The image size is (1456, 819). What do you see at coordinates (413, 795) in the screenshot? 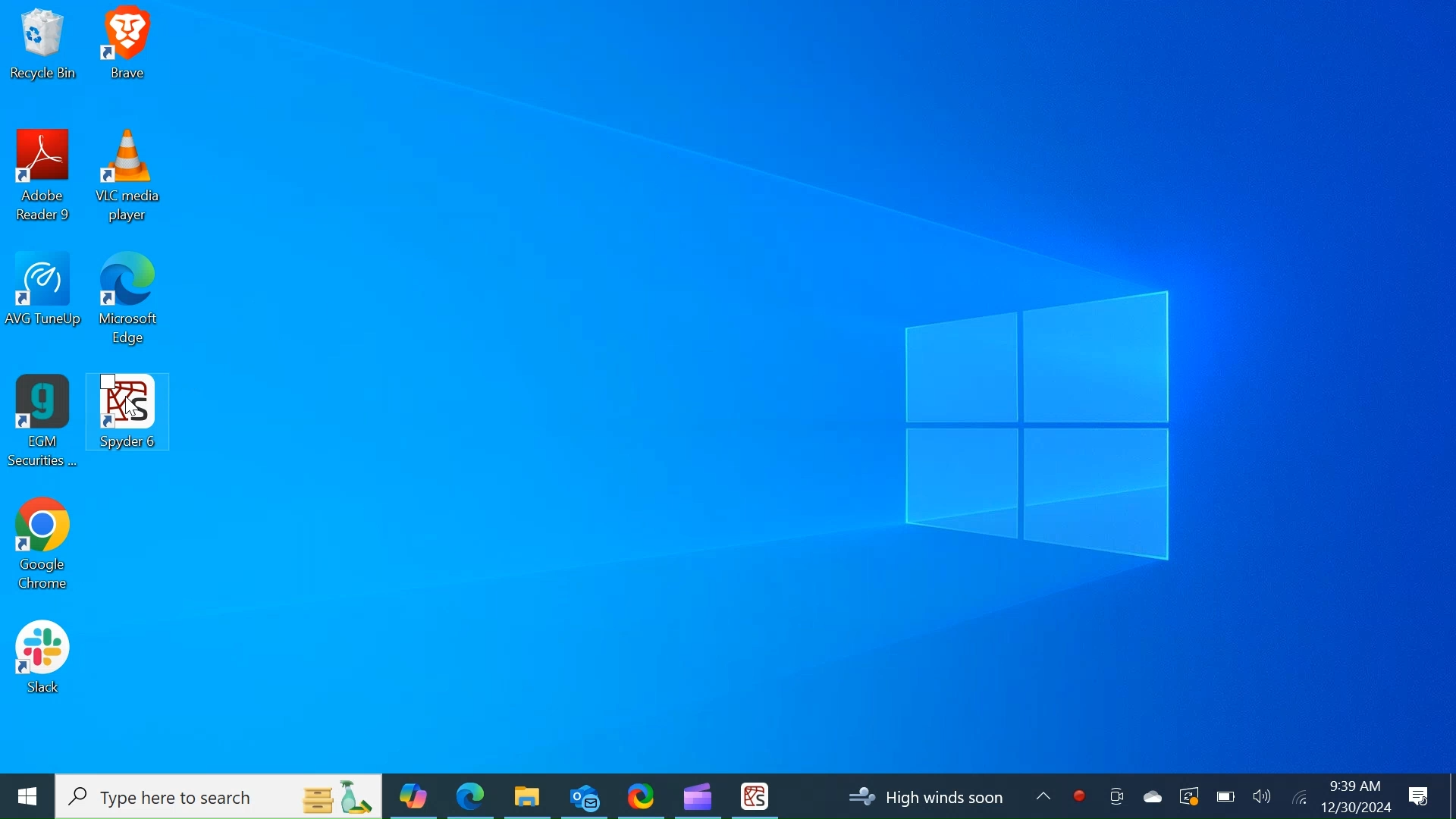
I see `Copilot` at bounding box center [413, 795].